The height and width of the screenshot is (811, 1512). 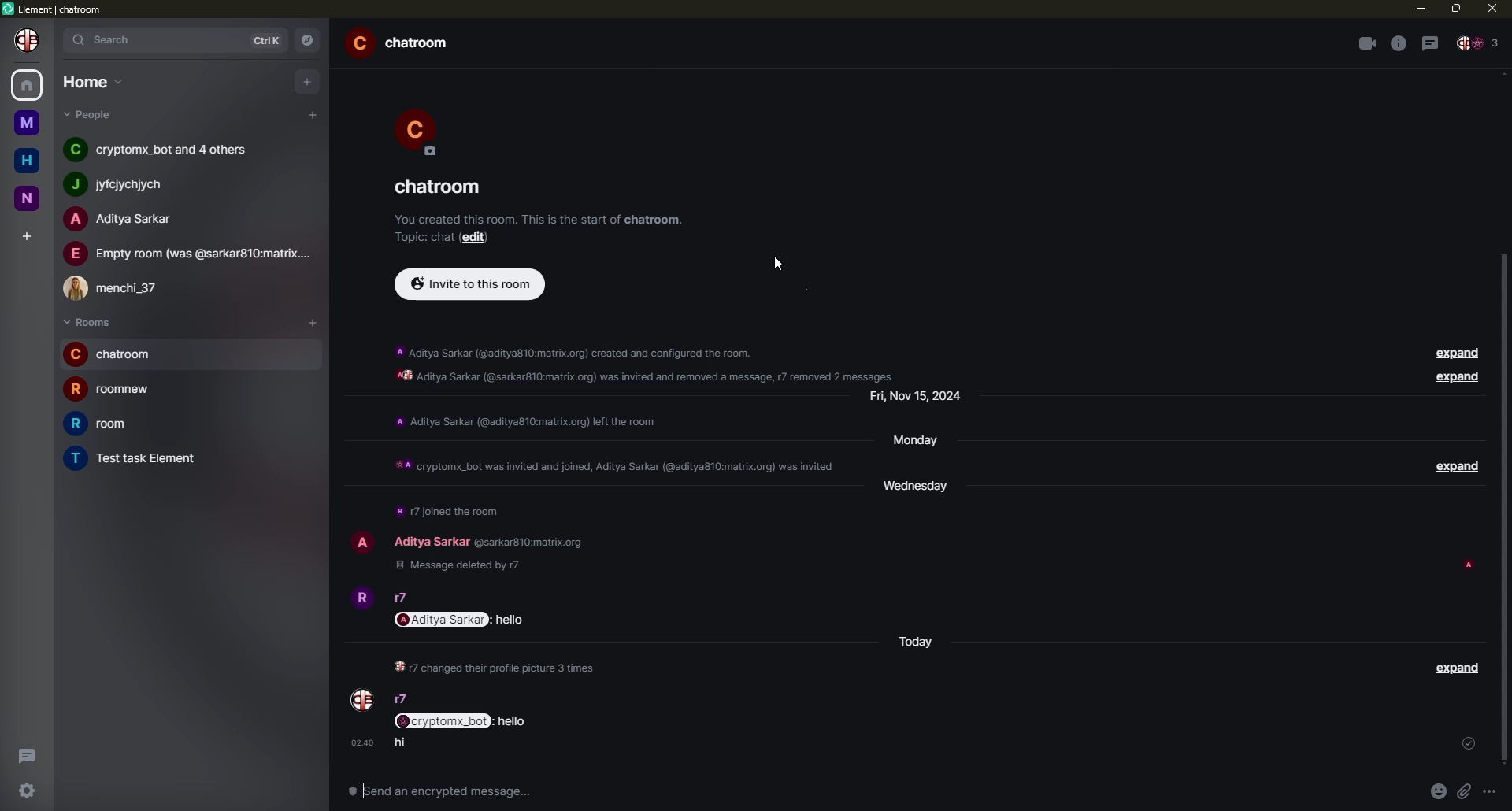 I want to click on attach, so click(x=1467, y=791).